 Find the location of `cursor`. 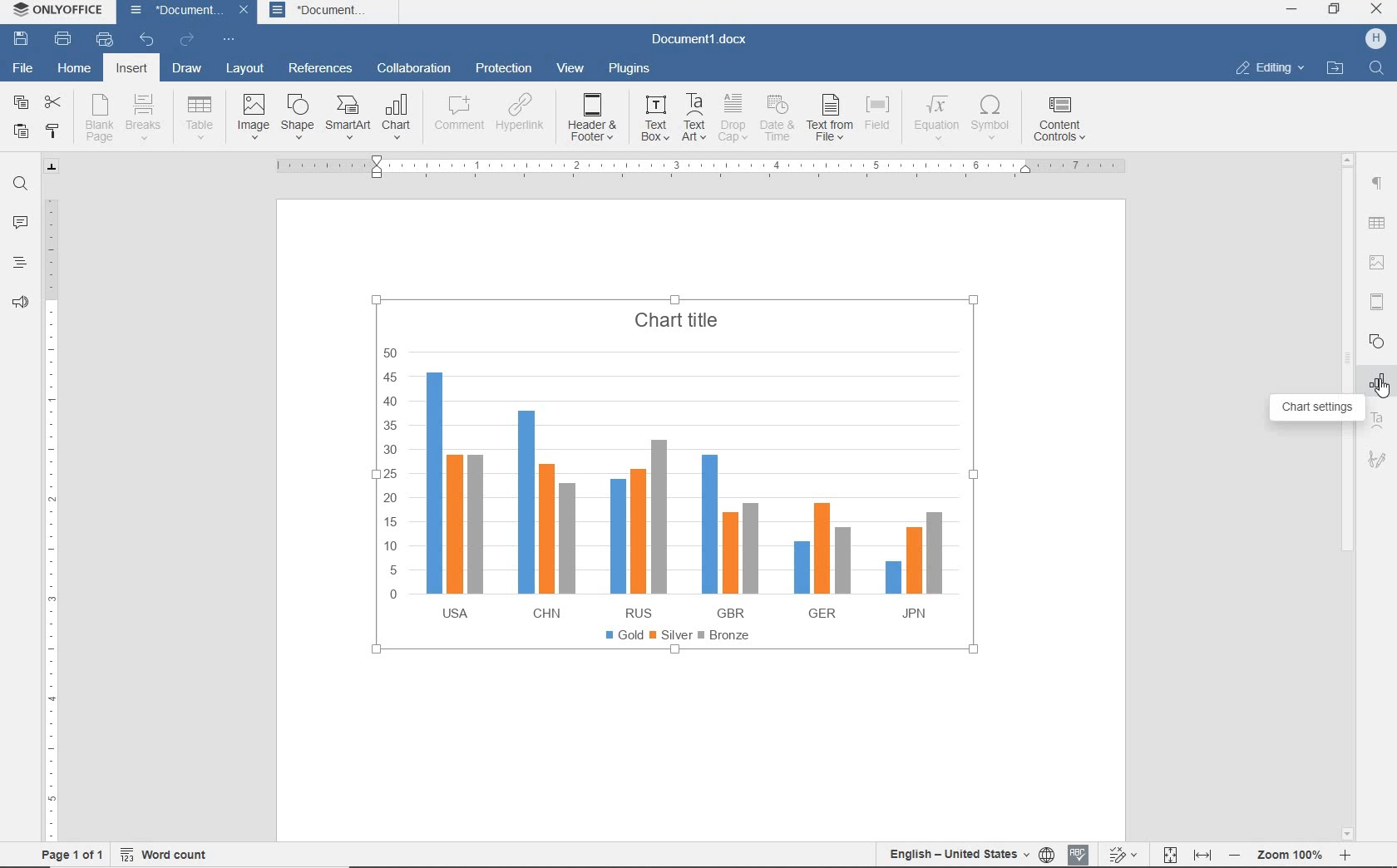

cursor is located at coordinates (1380, 391).